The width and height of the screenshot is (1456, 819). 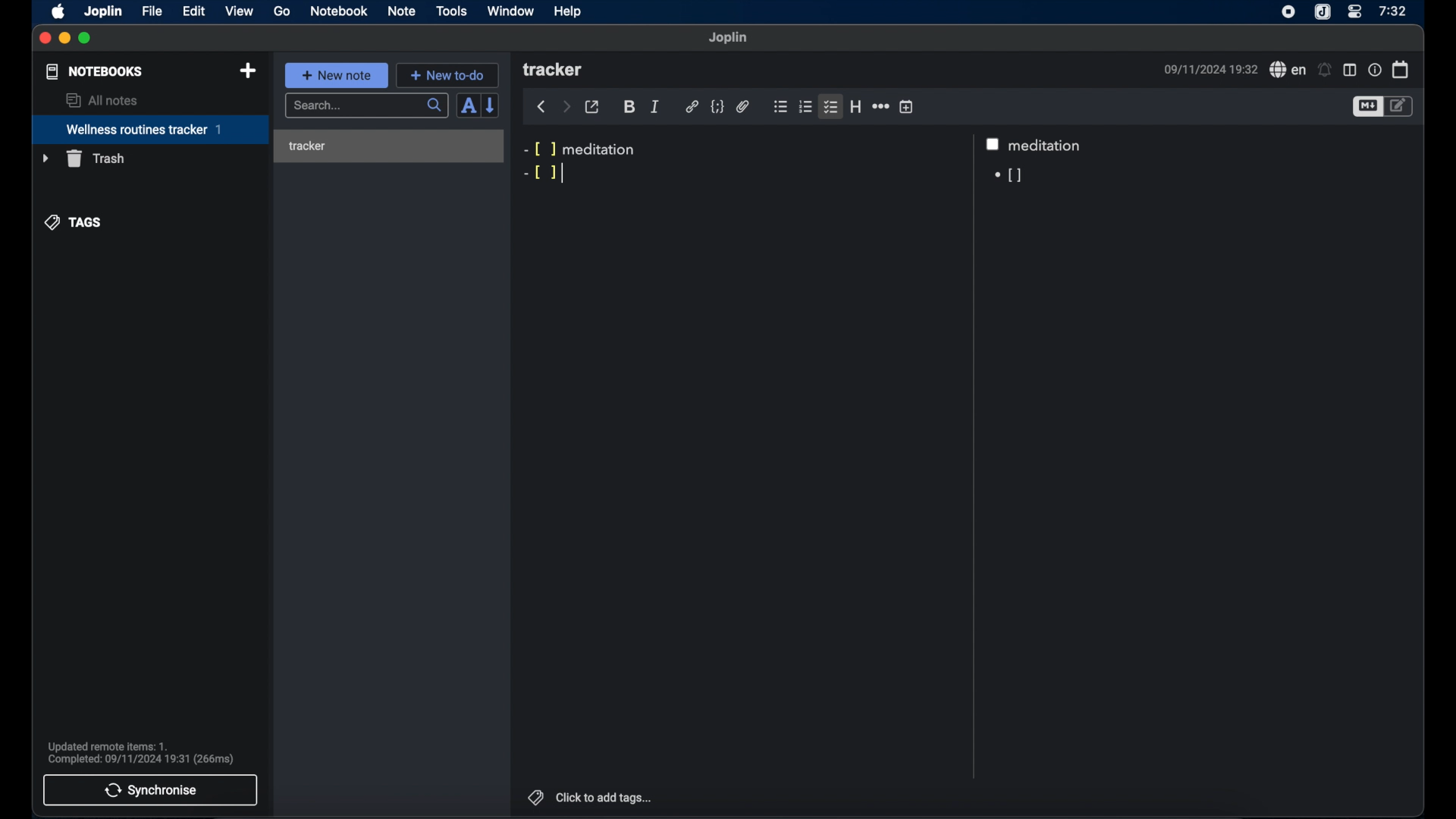 I want to click on insert time, so click(x=906, y=106).